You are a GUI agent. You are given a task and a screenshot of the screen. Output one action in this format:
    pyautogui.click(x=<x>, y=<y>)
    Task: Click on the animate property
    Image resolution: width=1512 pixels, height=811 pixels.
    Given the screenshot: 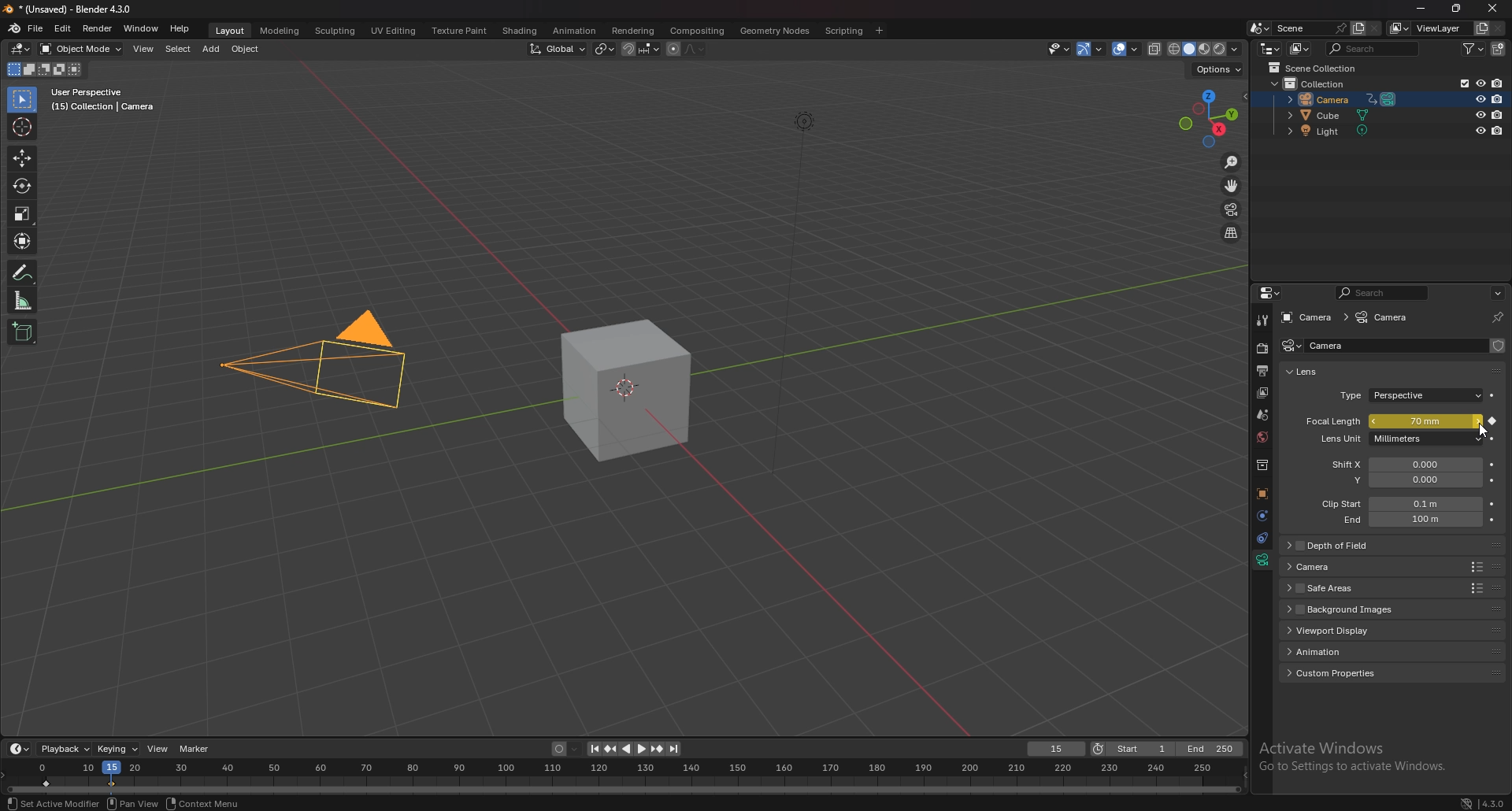 What is the action you would take?
    pyautogui.click(x=1494, y=396)
    